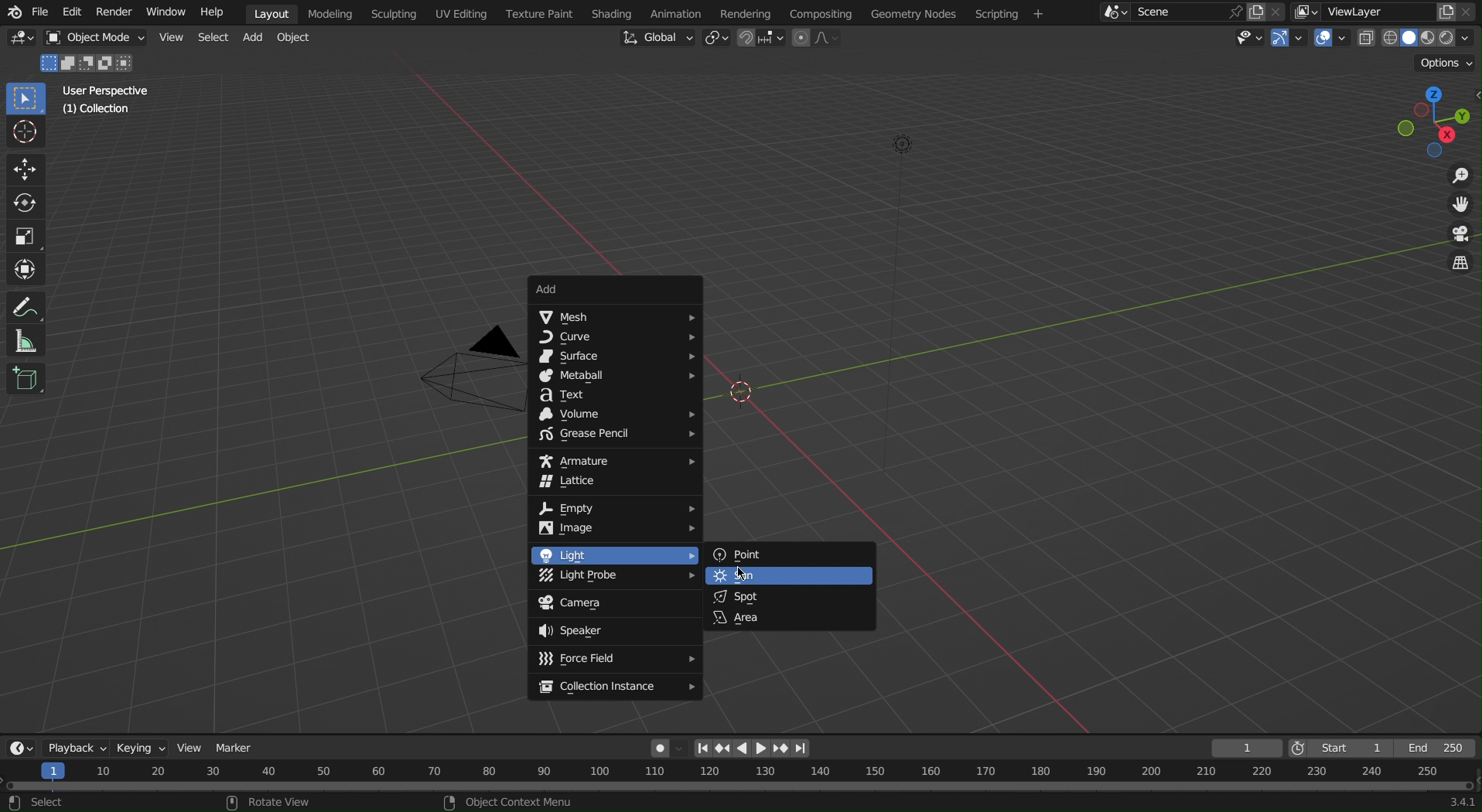 The height and width of the screenshot is (812, 1482). What do you see at coordinates (255, 38) in the screenshot?
I see `Add` at bounding box center [255, 38].